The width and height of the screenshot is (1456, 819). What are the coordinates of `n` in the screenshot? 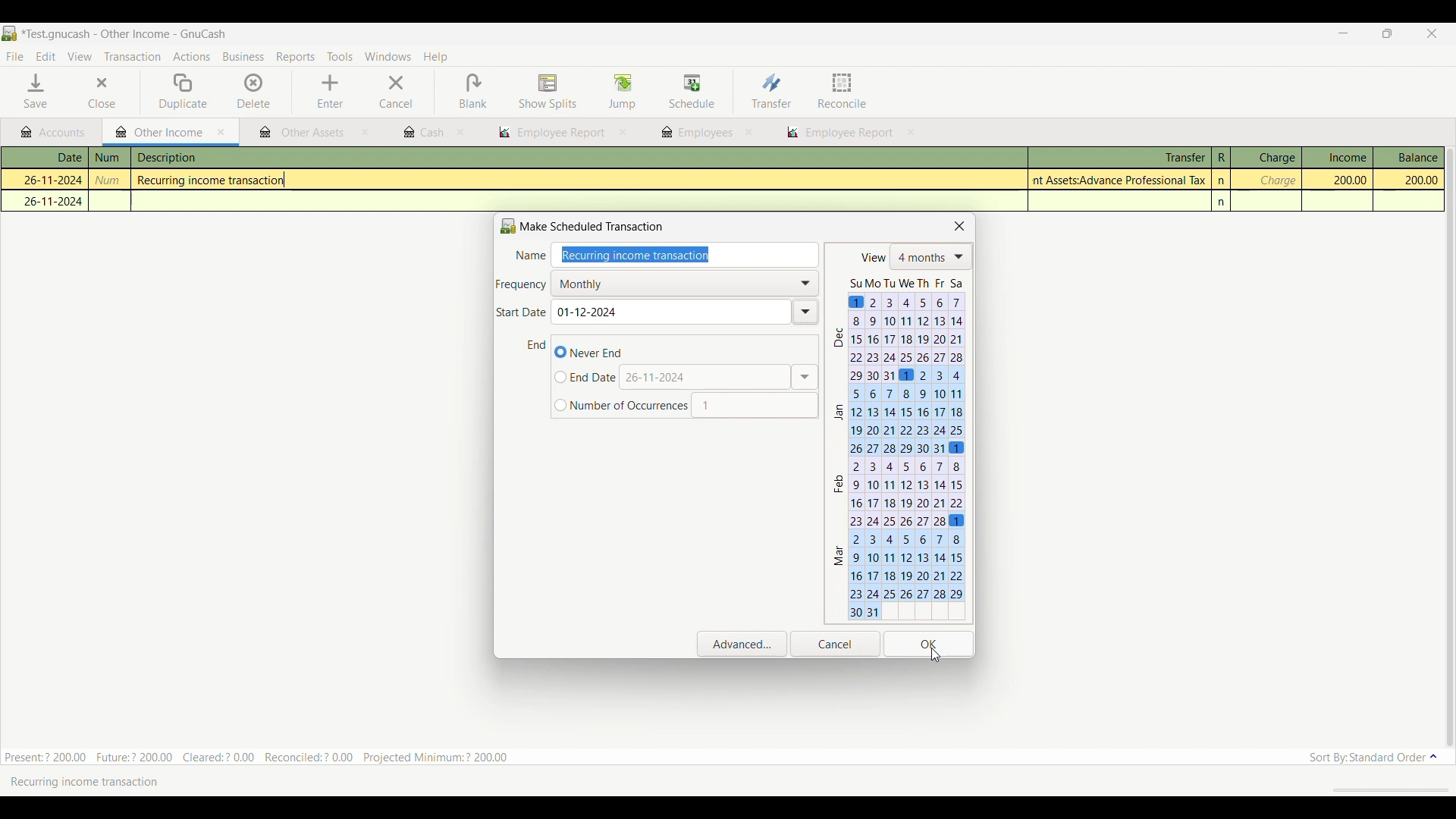 It's located at (1222, 180).